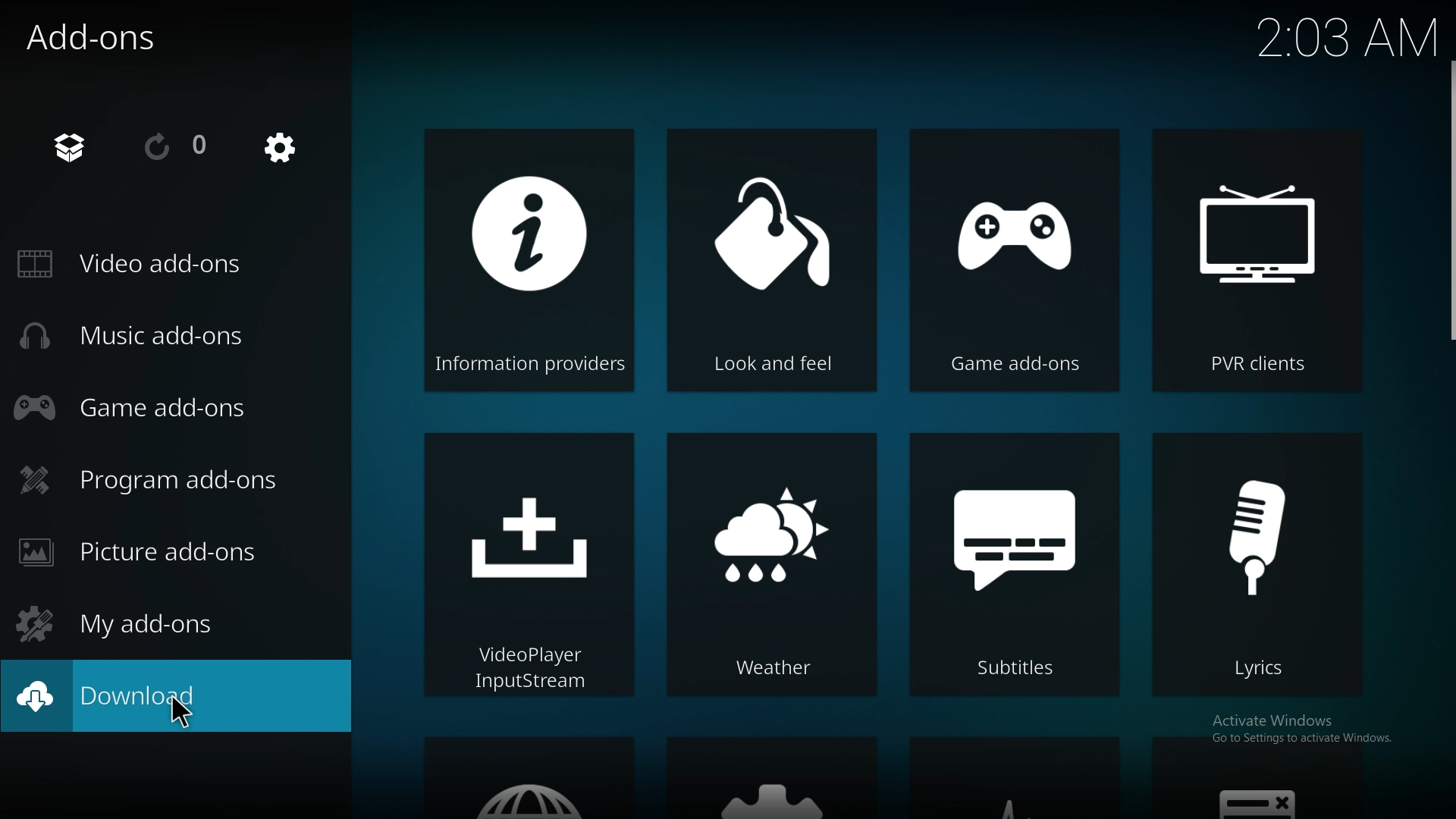 The height and width of the screenshot is (819, 1456). What do you see at coordinates (1451, 201) in the screenshot?
I see `scroll bar` at bounding box center [1451, 201].